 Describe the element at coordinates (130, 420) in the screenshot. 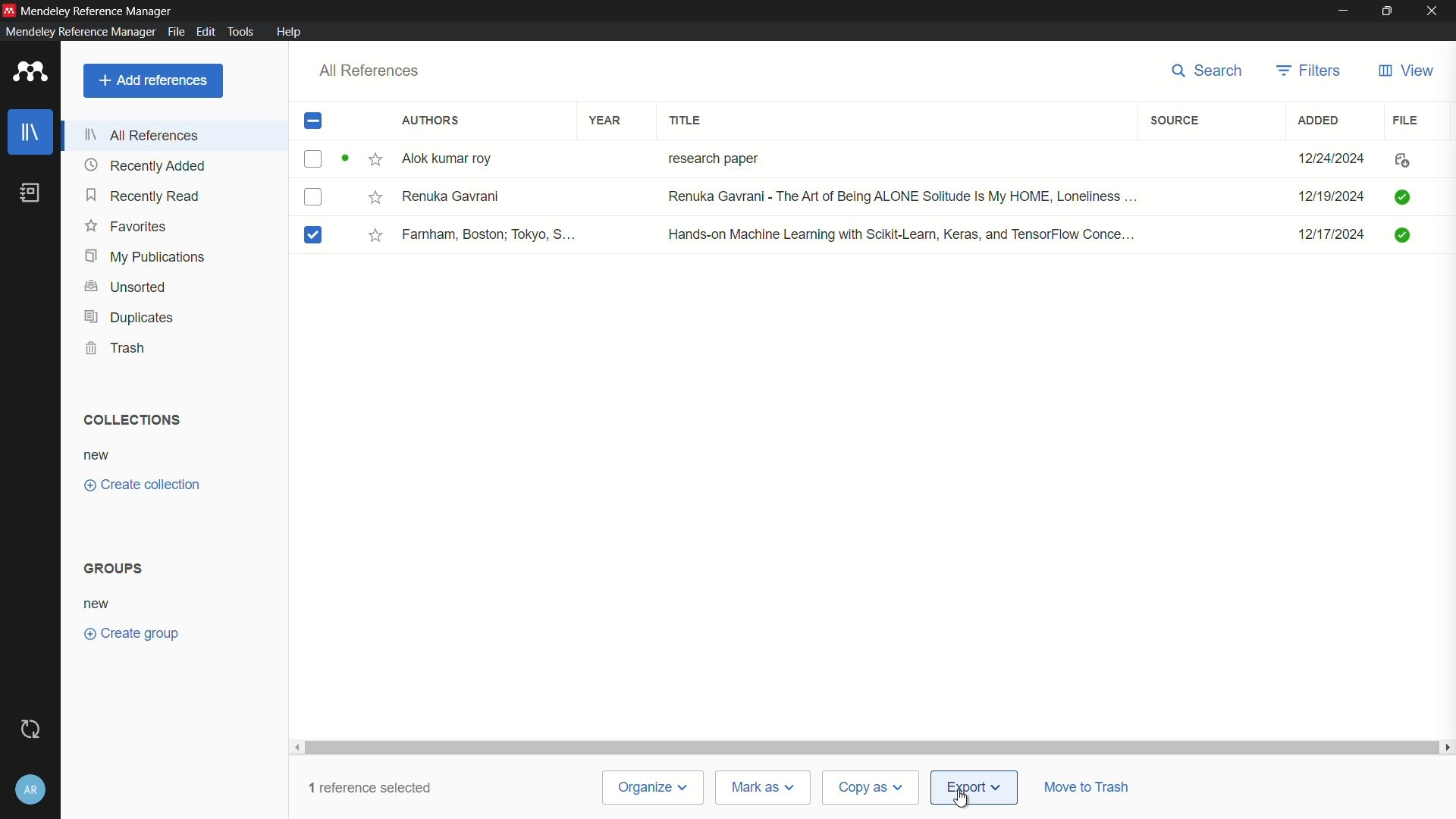

I see `collections` at that location.